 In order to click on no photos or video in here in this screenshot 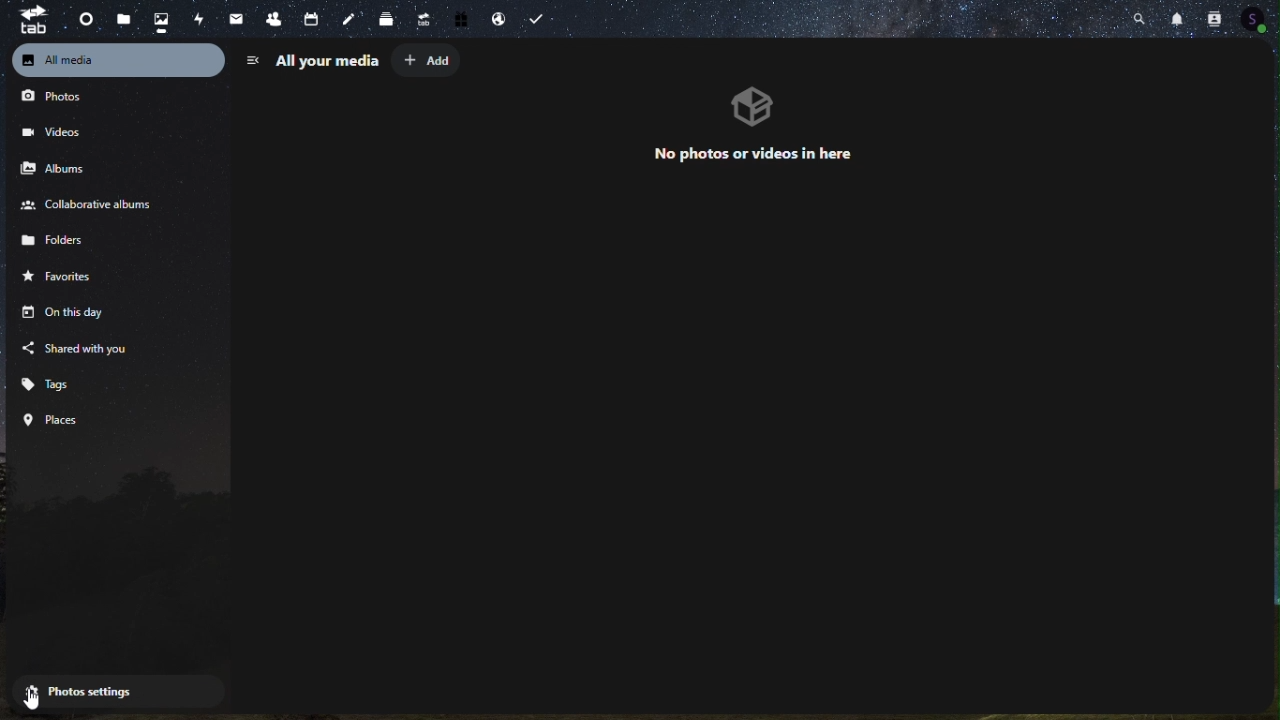, I will do `click(757, 124)`.